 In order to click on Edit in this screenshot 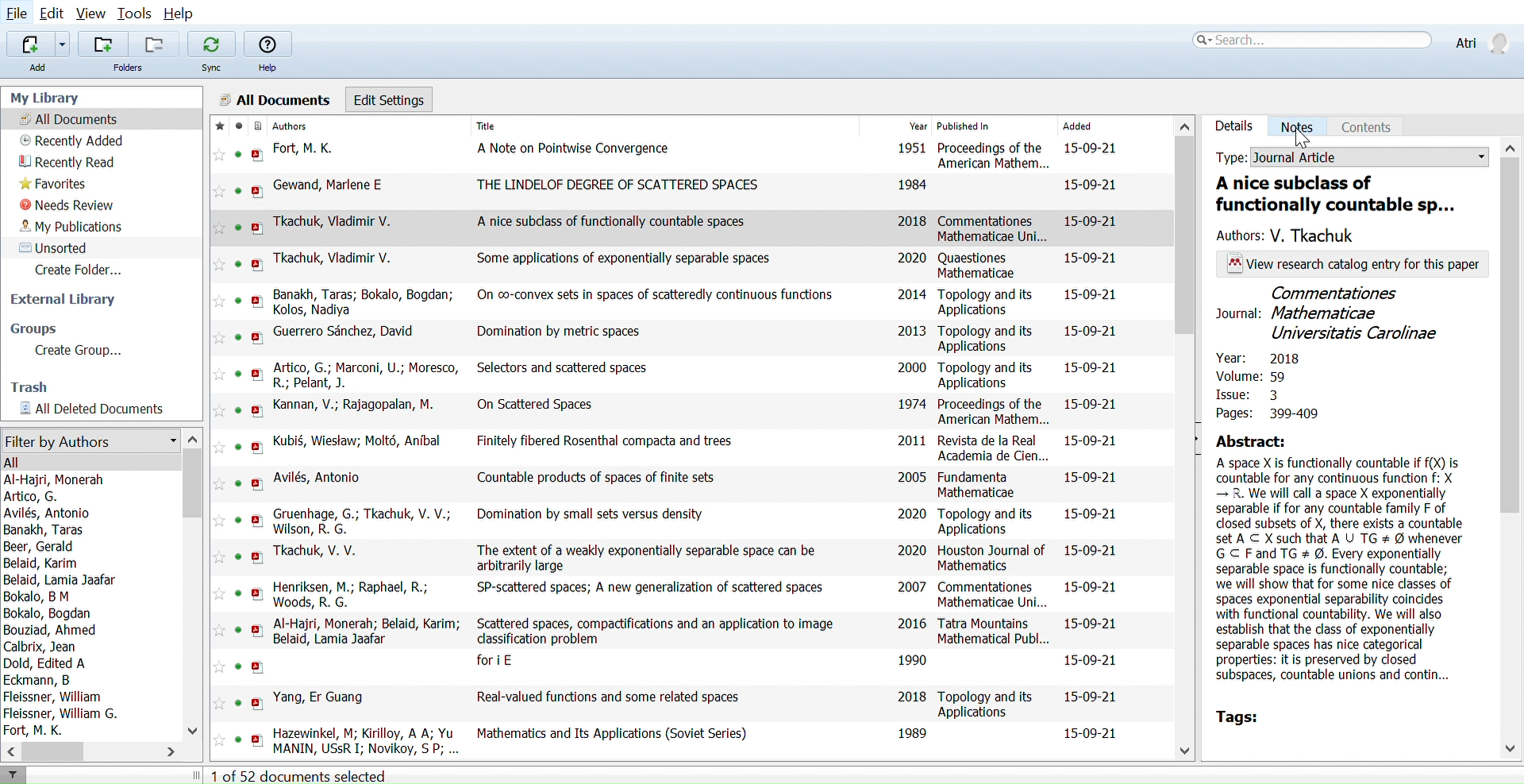, I will do `click(55, 14)`.